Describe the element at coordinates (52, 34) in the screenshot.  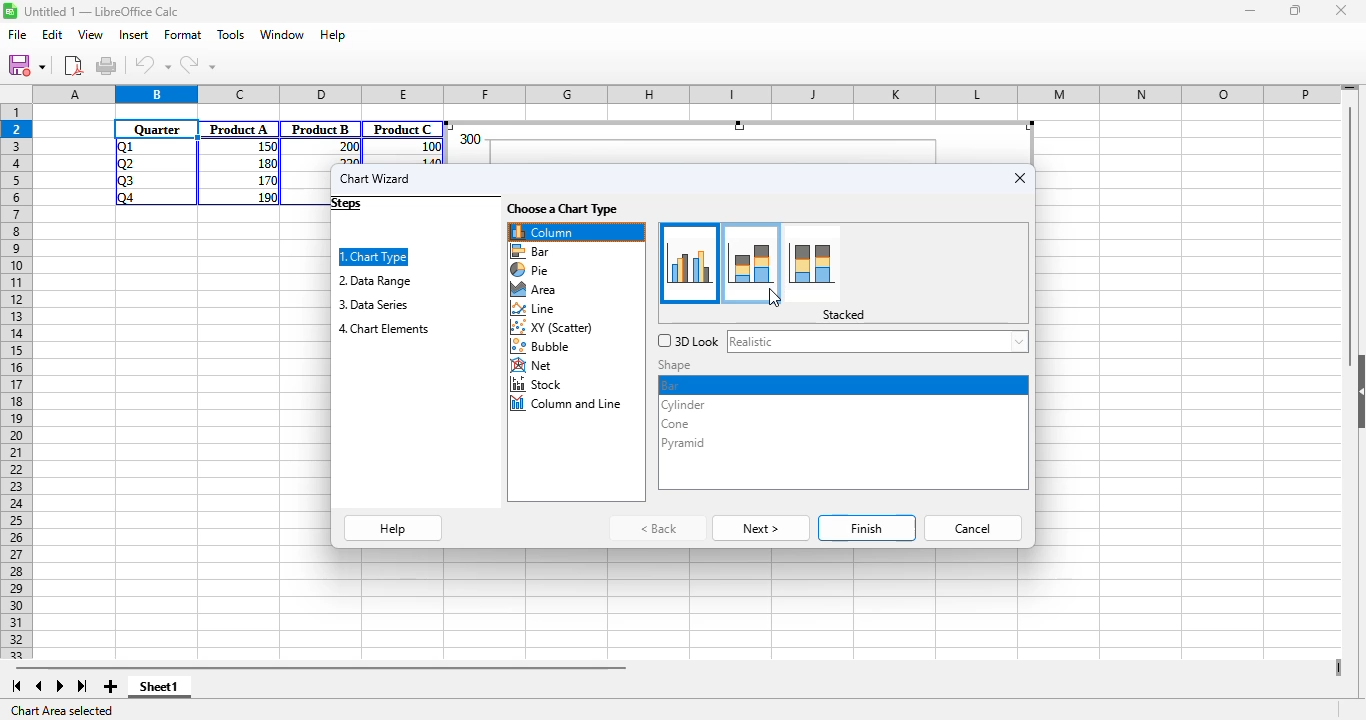
I see `edit` at that location.